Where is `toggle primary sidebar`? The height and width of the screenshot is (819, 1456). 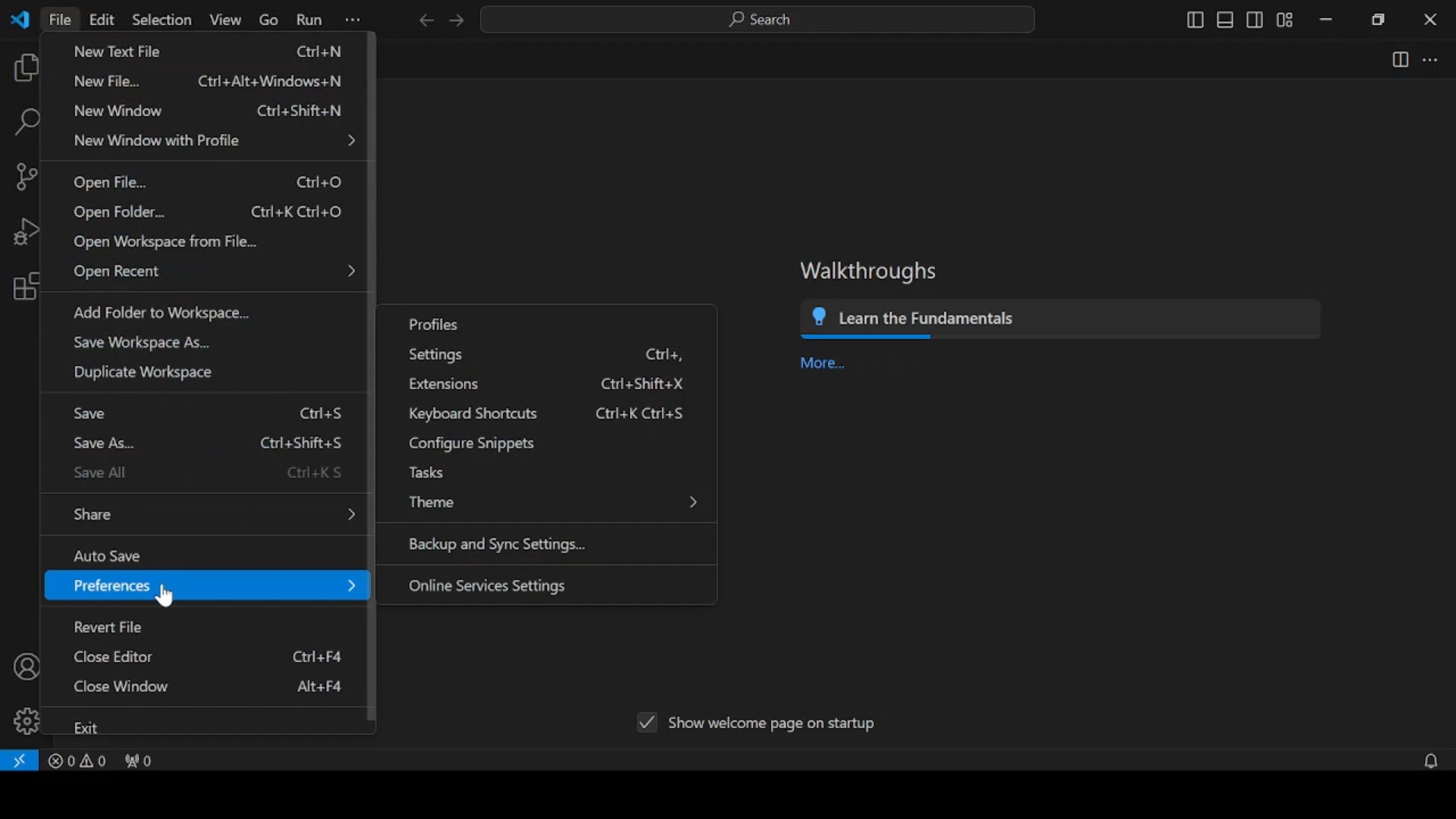 toggle primary sidebar is located at coordinates (1194, 20).